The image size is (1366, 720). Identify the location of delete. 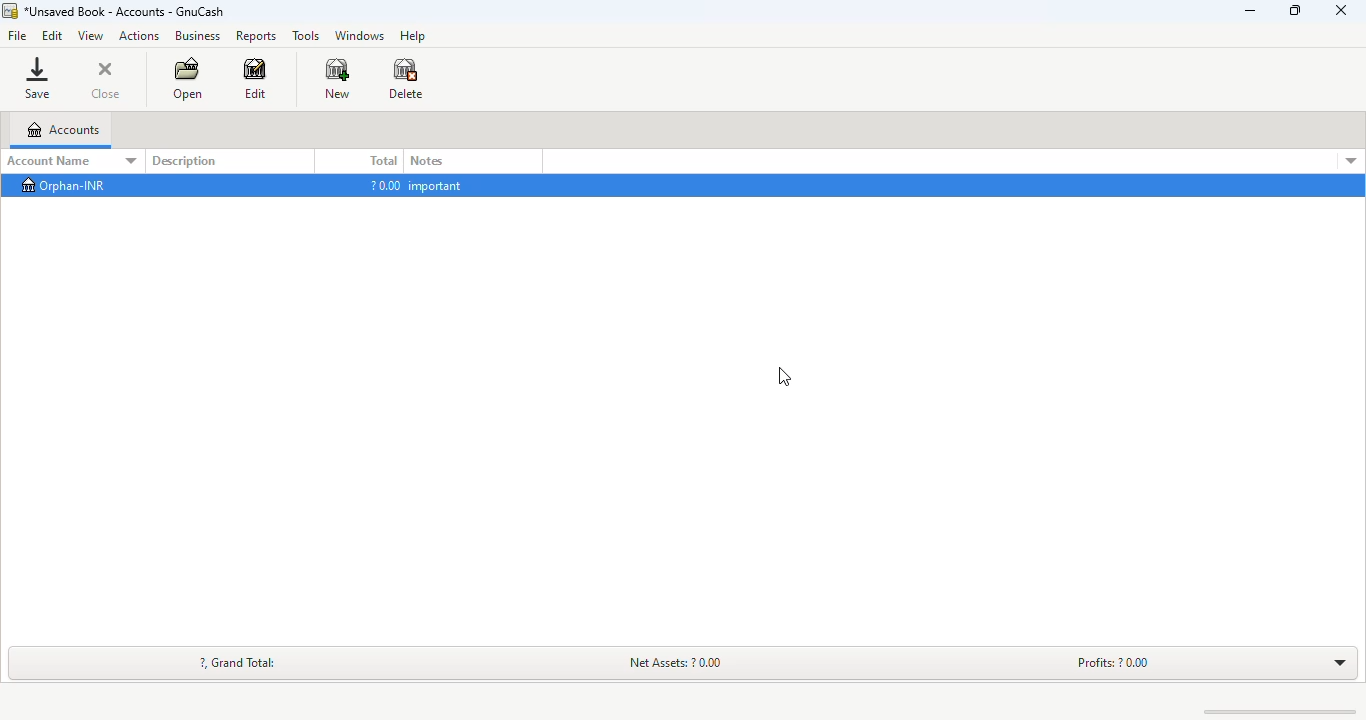
(406, 78).